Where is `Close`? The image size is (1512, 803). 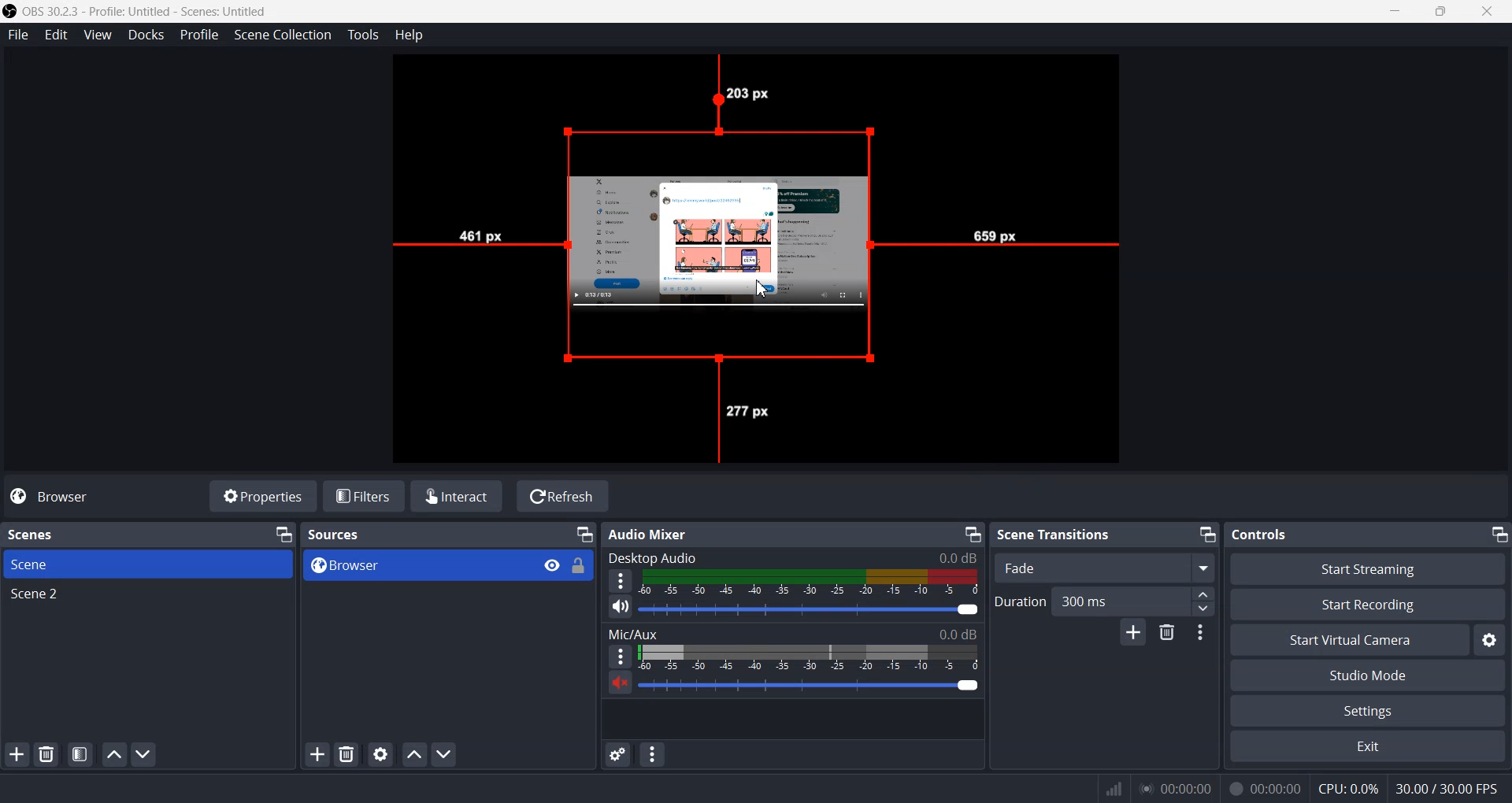 Close is located at coordinates (1492, 12).